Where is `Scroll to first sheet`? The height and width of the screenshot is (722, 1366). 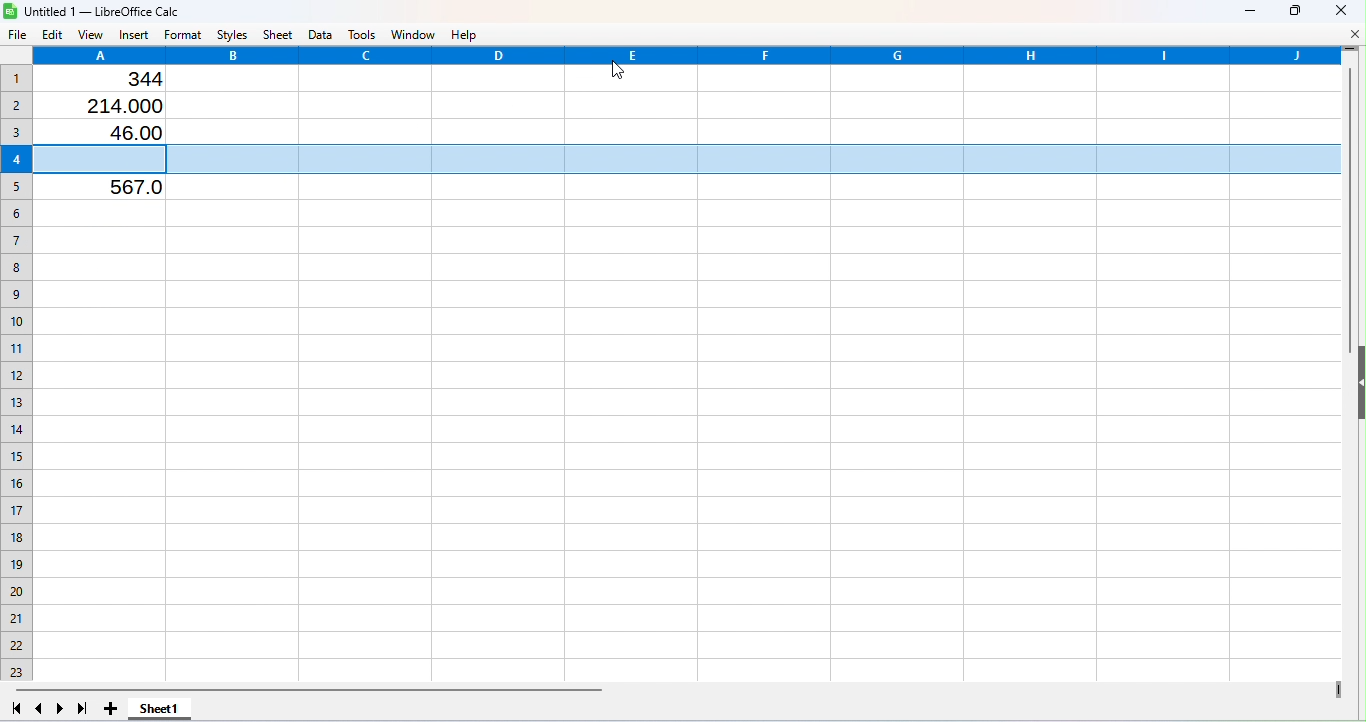
Scroll to first sheet is located at coordinates (13, 709).